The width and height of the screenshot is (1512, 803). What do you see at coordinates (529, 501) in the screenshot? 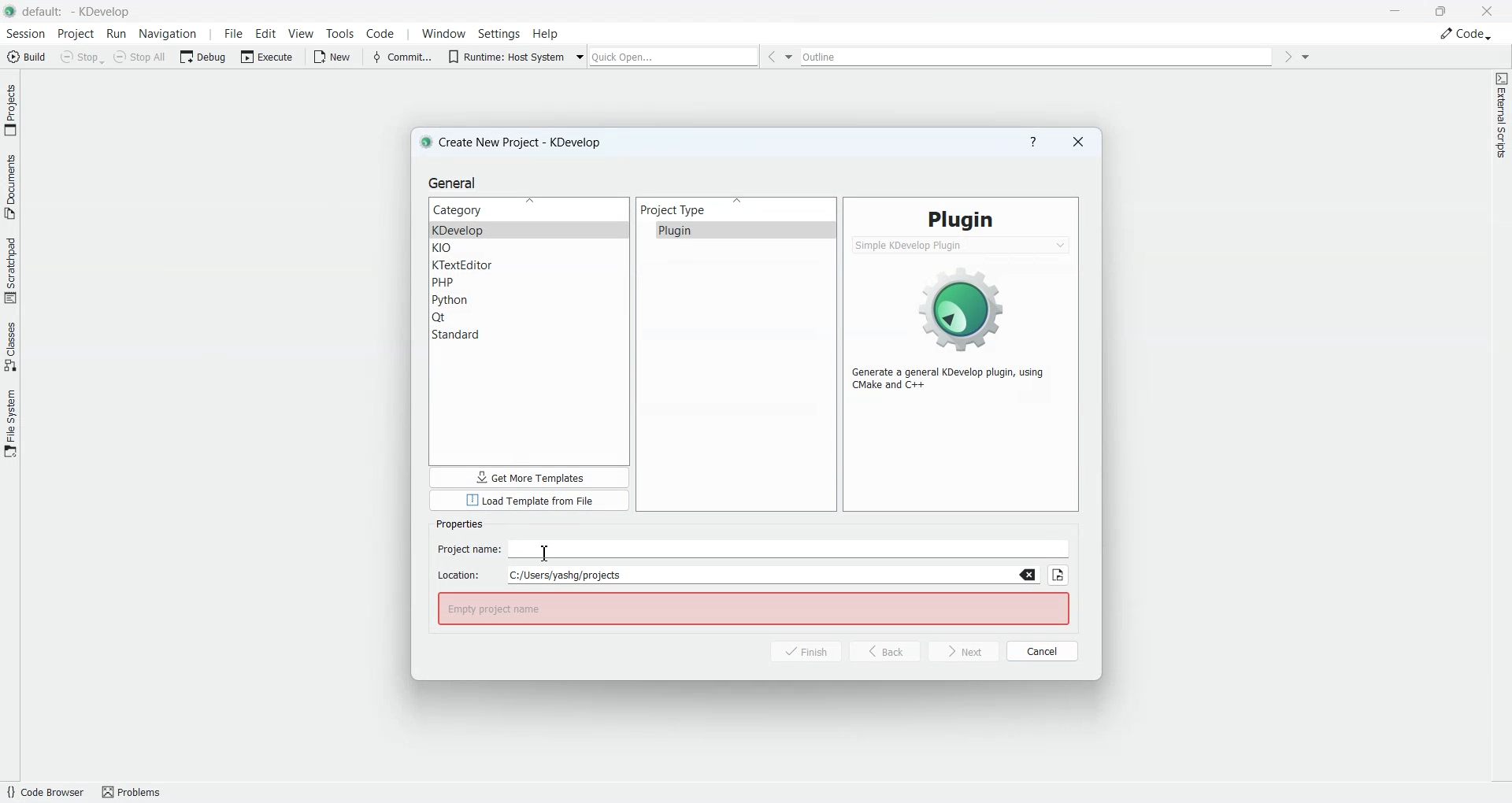
I see `Load Template From File` at bounding box center [529, 501].